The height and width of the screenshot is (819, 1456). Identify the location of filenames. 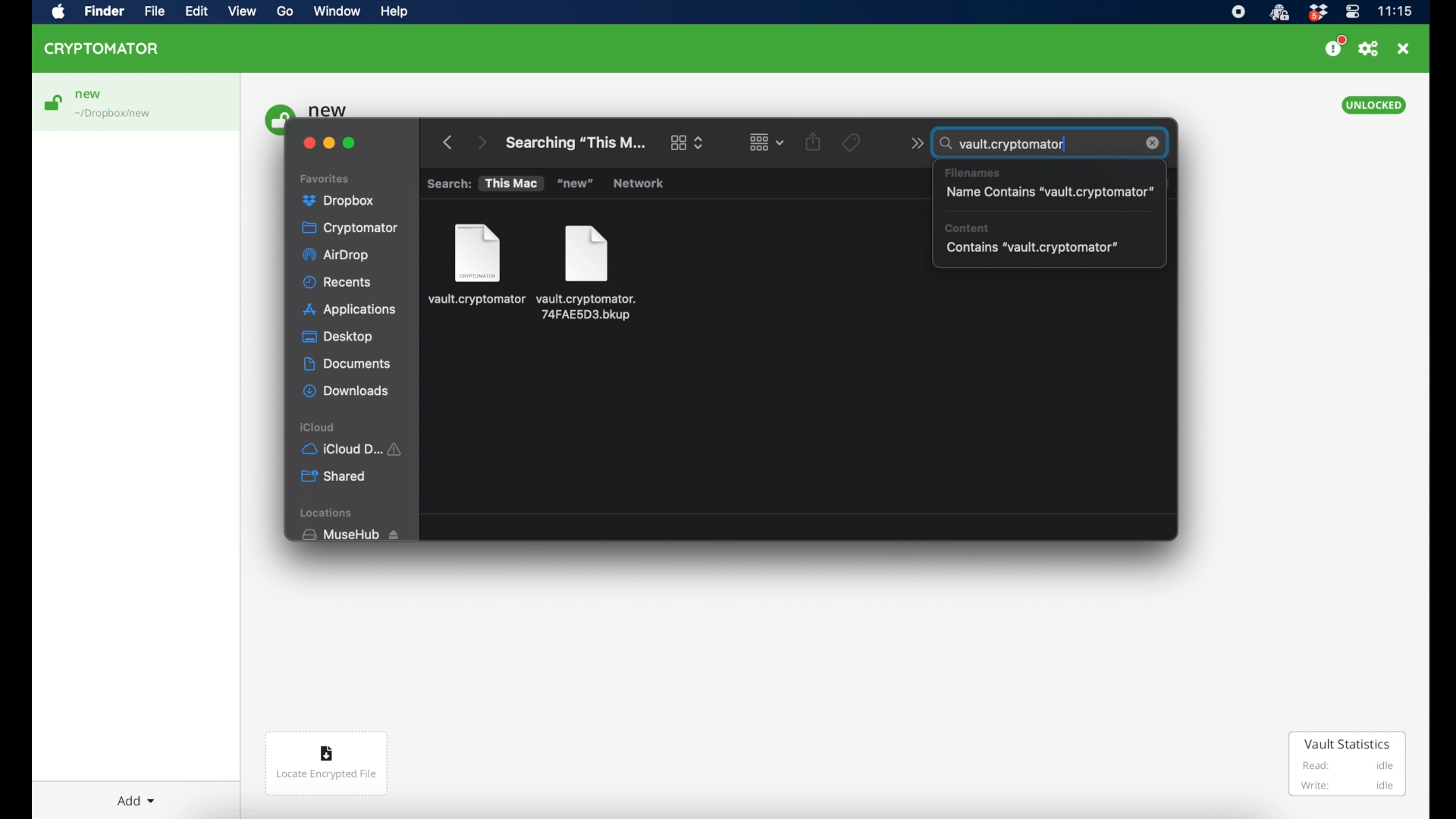
(974, 171).